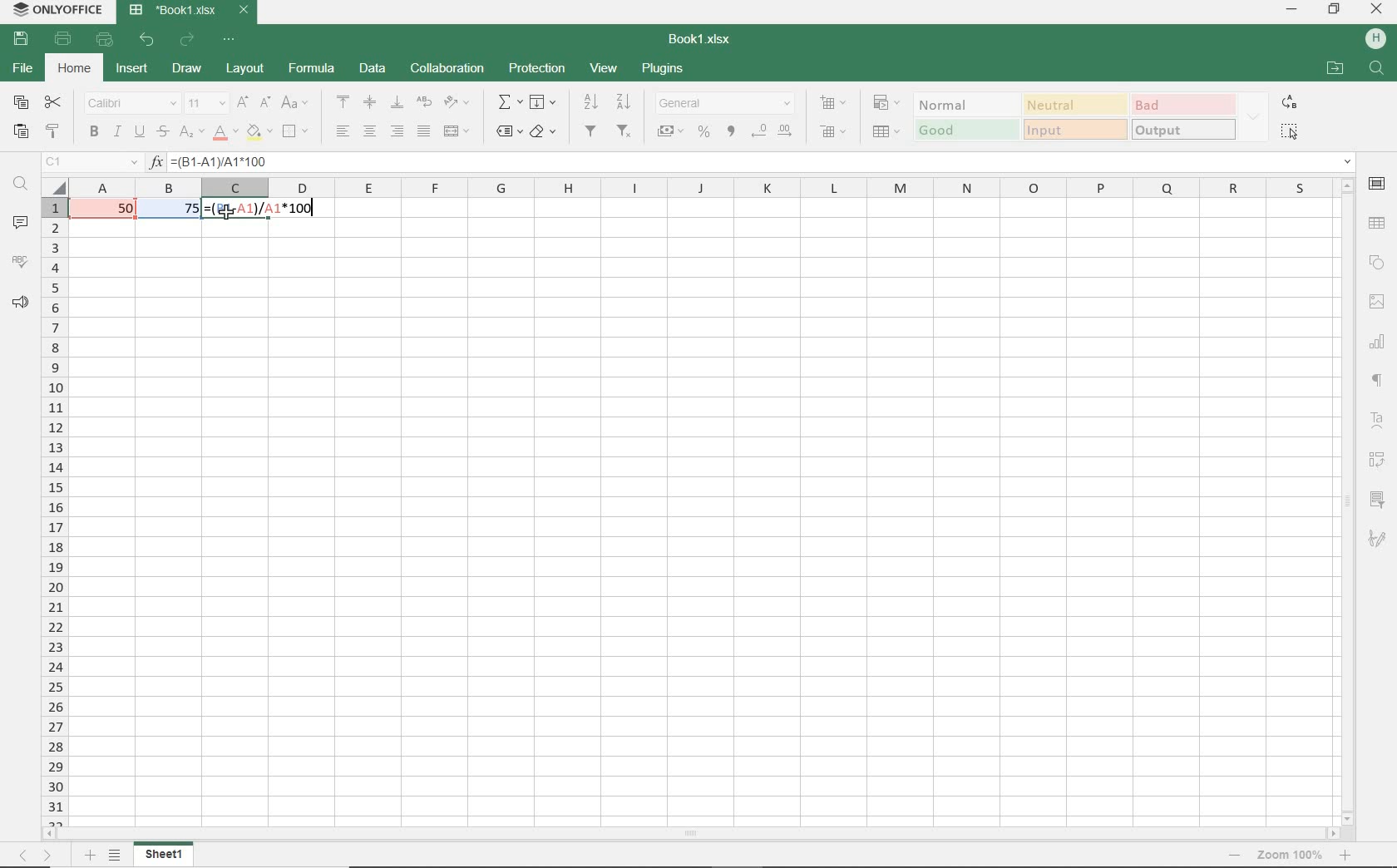 The height and width of the screenshot is (868, 1397). Describe the element at coordinates (163, 132) in the screenshot. I see `strikethrough` at that location.